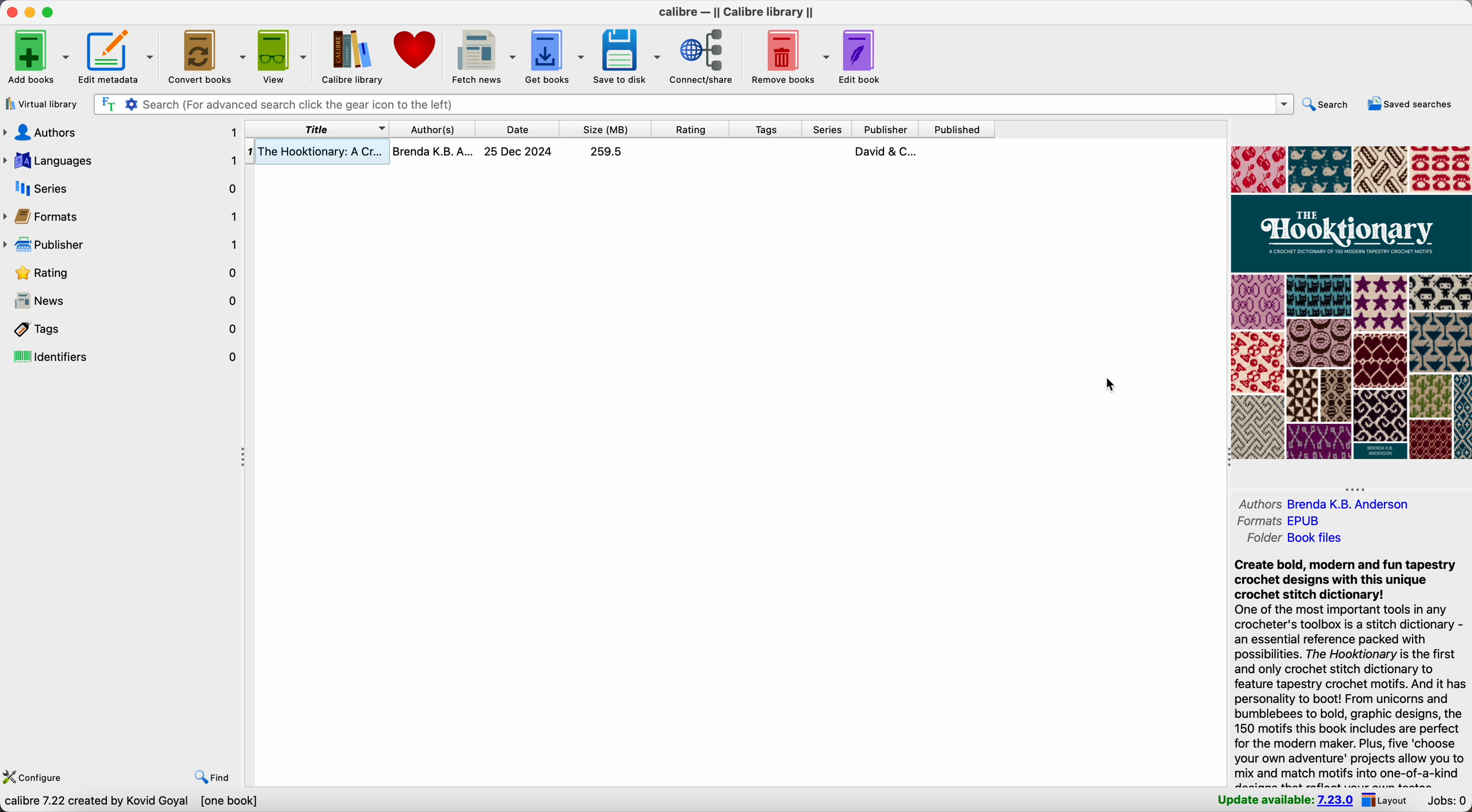  I want to click on donate, so click(417, 49).